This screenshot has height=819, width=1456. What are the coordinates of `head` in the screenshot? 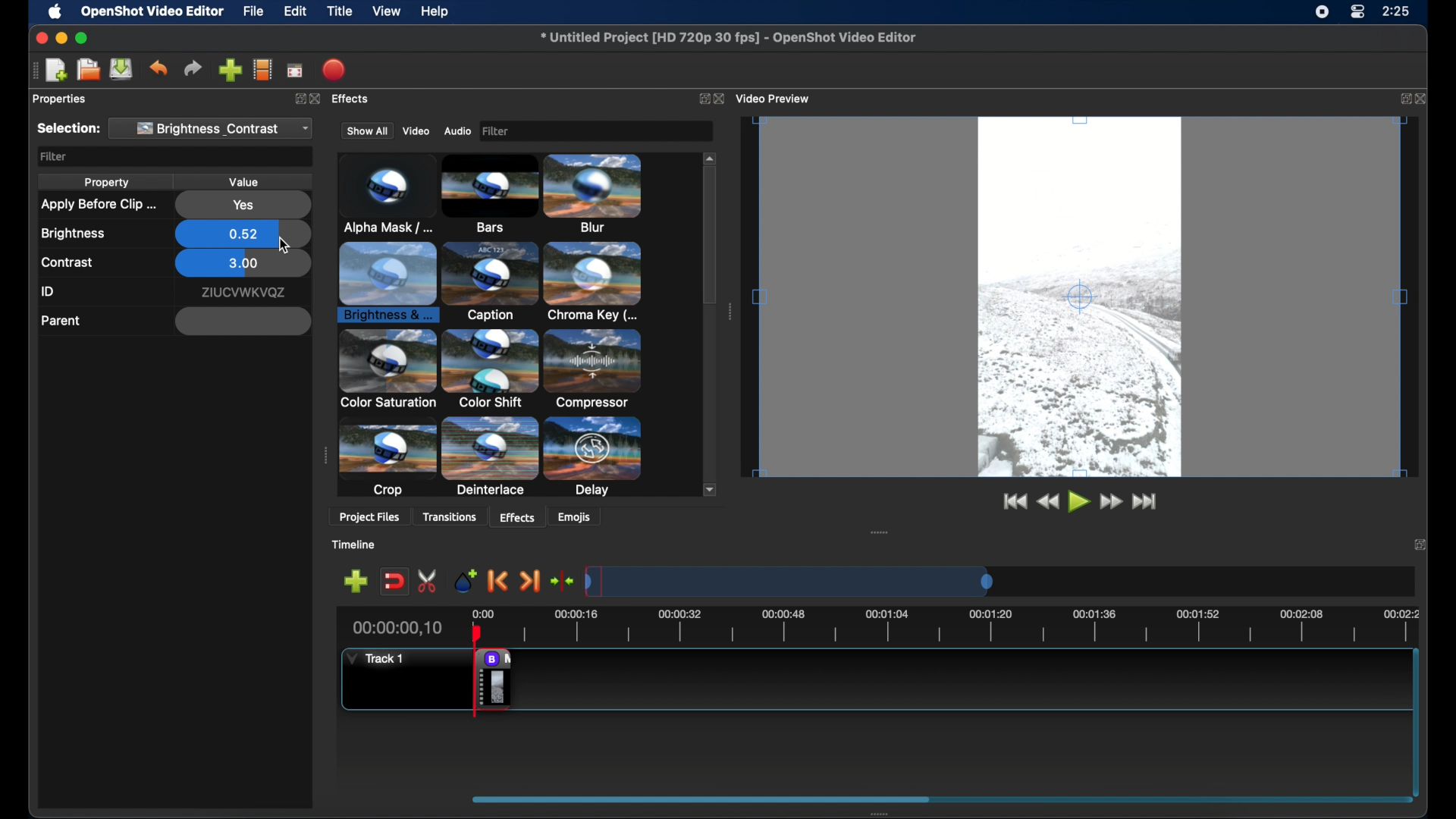 It's located at (479, 635).